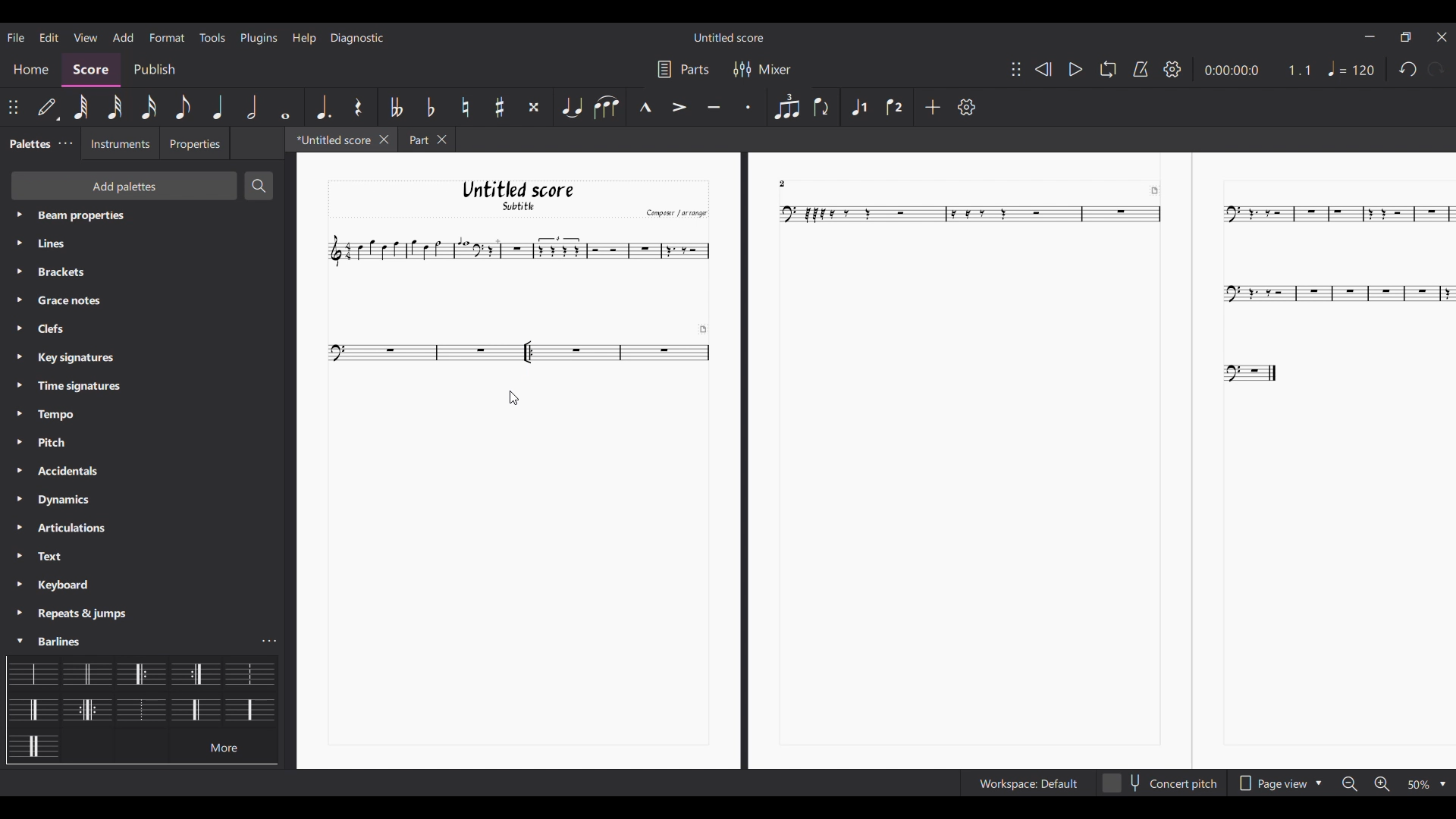 This screenshot has width=1456, height=819. What do you see at coordinates (30, 70) in the screenshot?
I see `Home section` at bounding box center [30, 70].